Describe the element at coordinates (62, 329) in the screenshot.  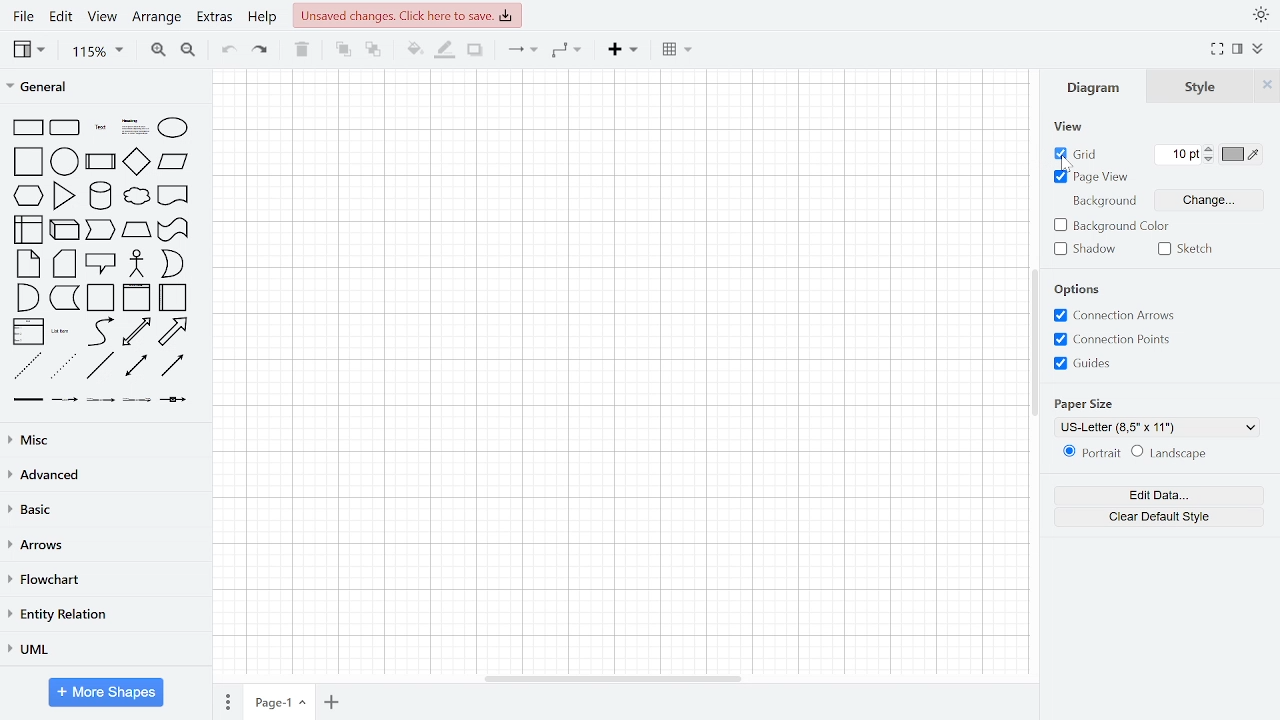
I see `list item` at that location.